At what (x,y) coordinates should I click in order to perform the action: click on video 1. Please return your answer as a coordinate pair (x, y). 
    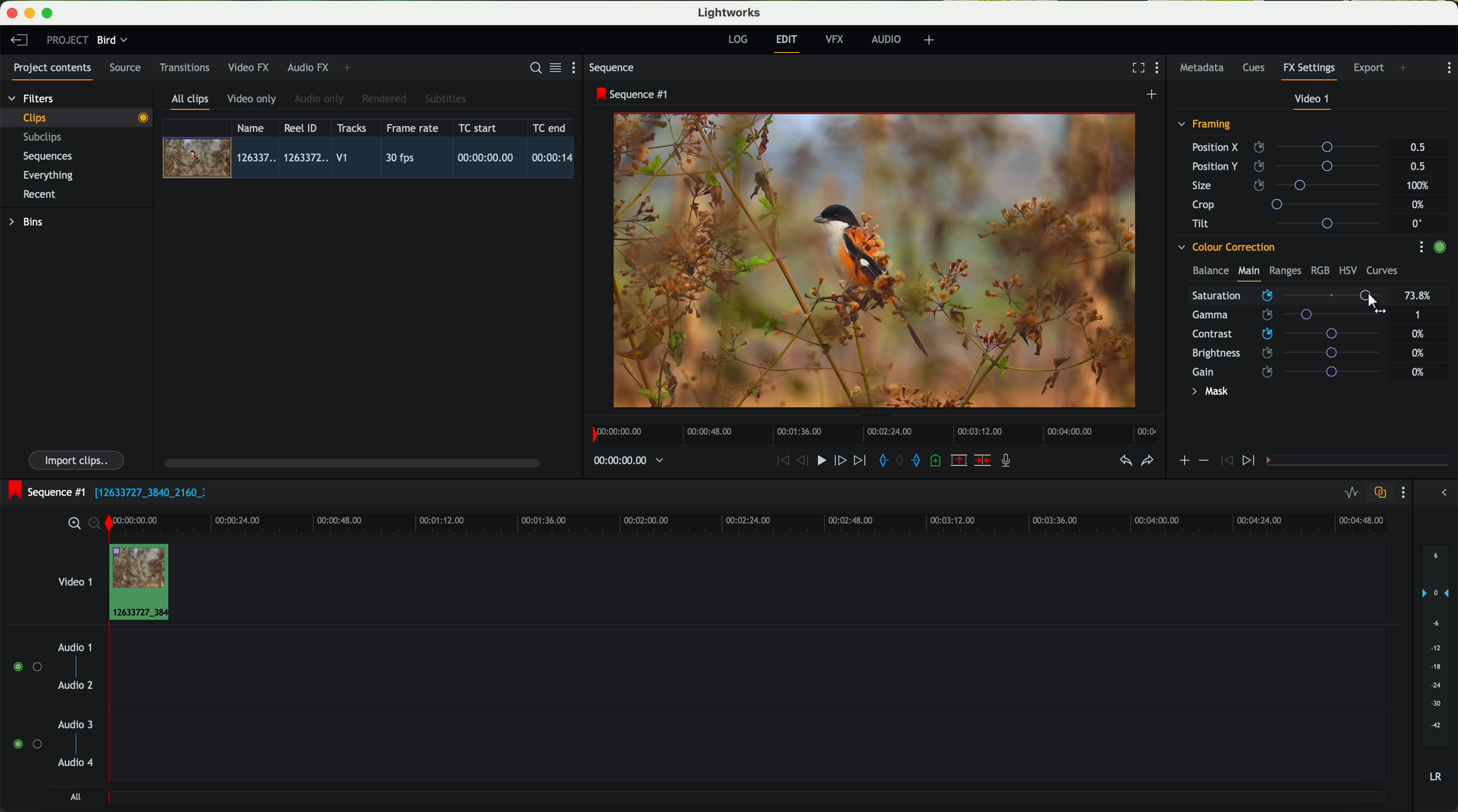
    Looking at the image, I should click on (74, 579).